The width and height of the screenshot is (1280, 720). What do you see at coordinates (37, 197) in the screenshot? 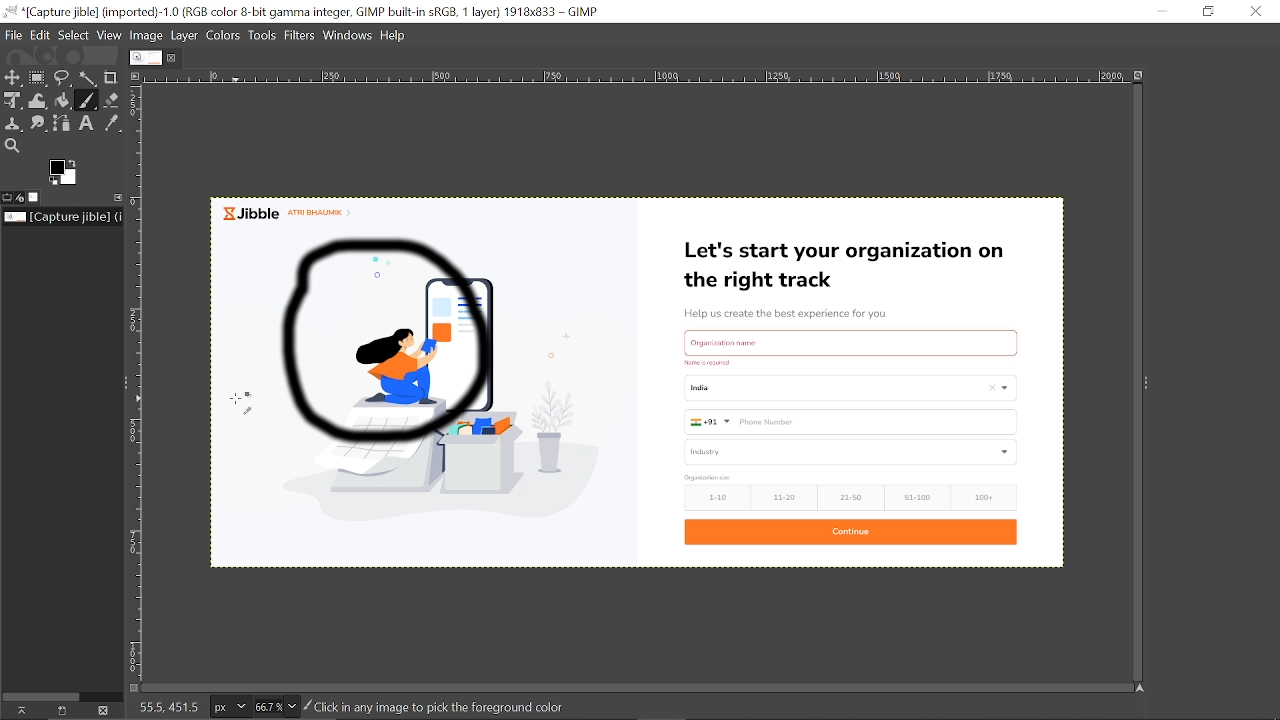
I see `Images` at bounding box center [37, 197].